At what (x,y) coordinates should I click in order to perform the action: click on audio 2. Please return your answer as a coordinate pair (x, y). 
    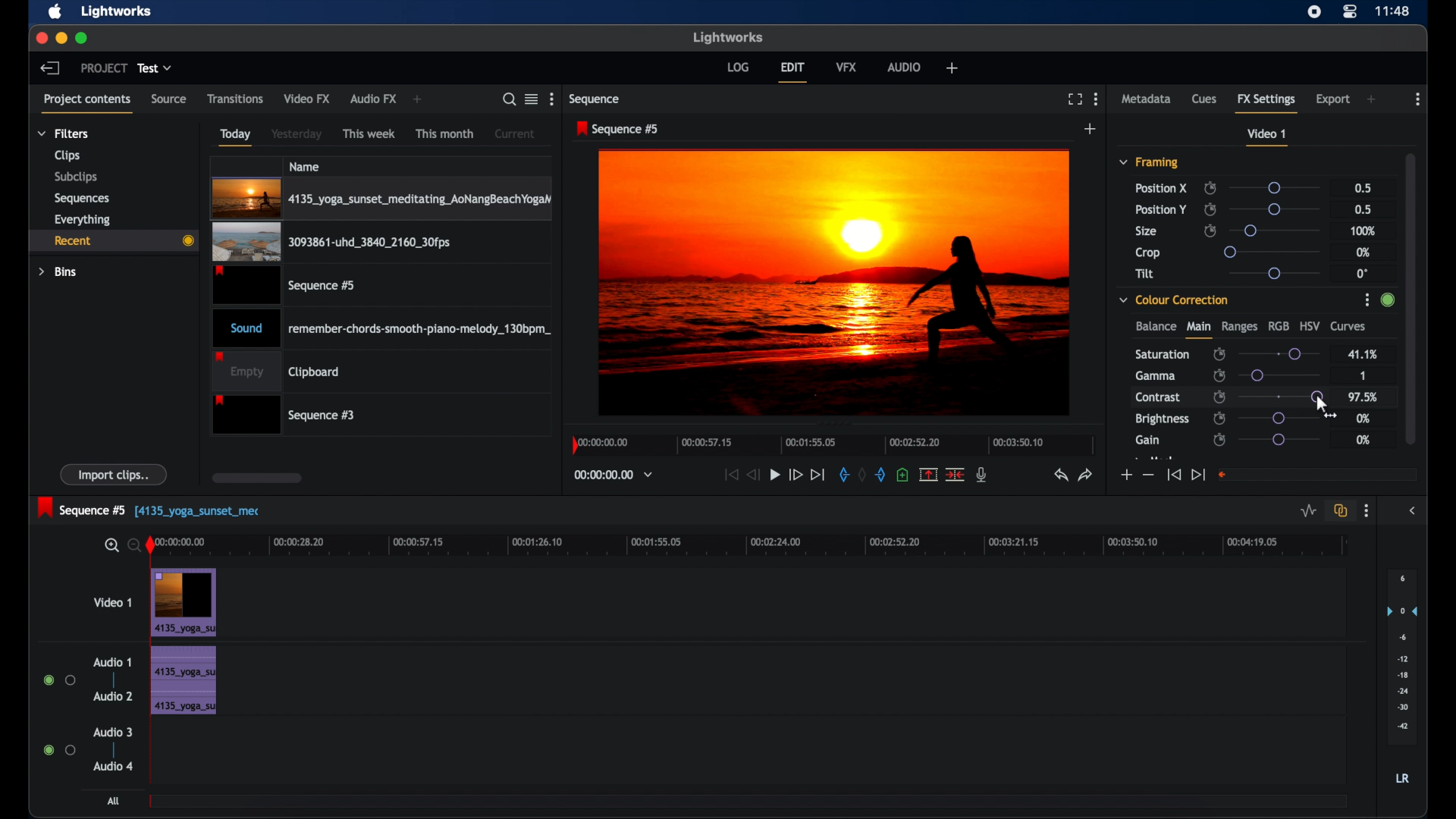
    Looking at the image, I should click on (112, 696).